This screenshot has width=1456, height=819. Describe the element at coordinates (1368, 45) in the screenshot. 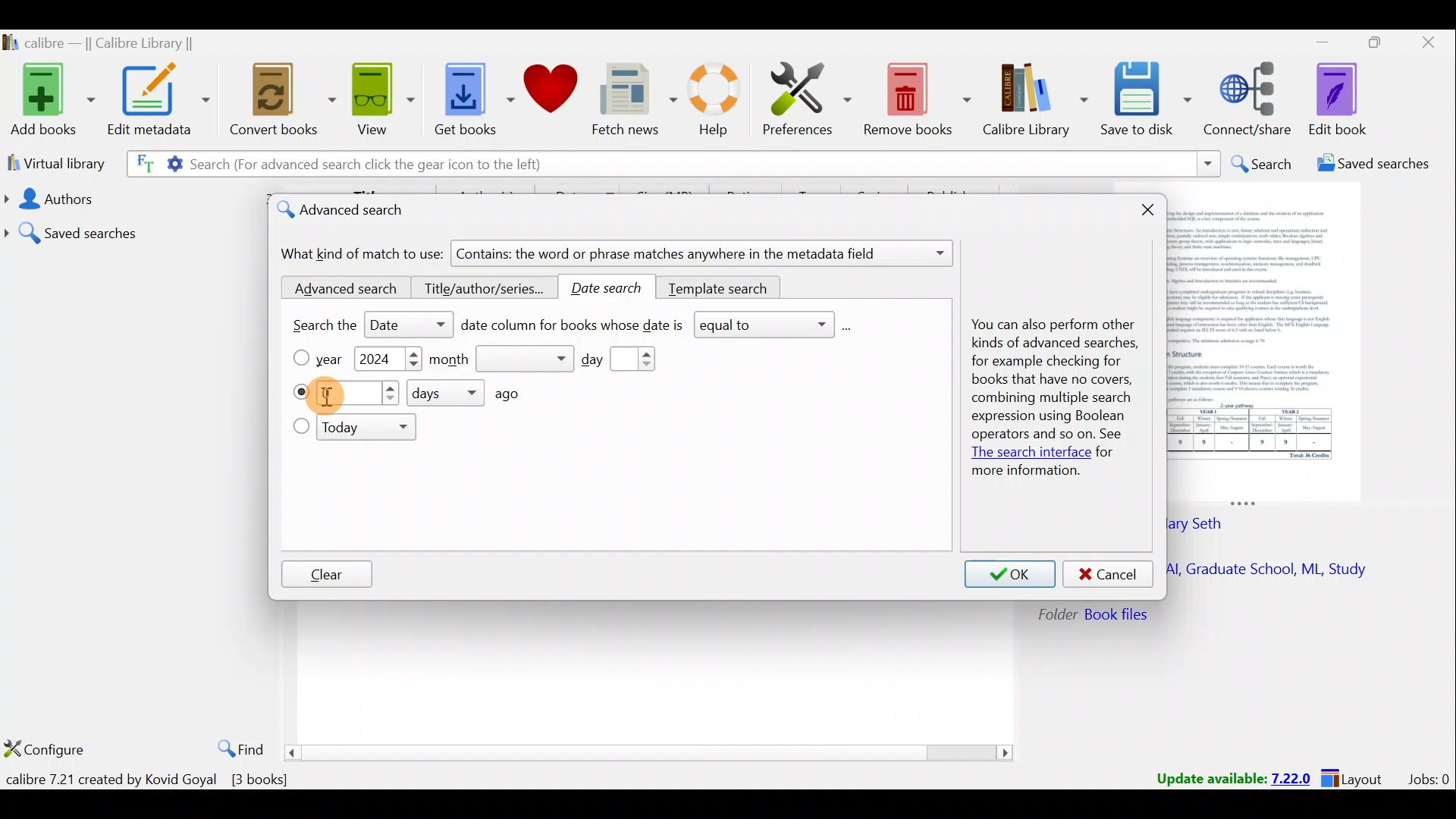

I see `Maximize` at that location.